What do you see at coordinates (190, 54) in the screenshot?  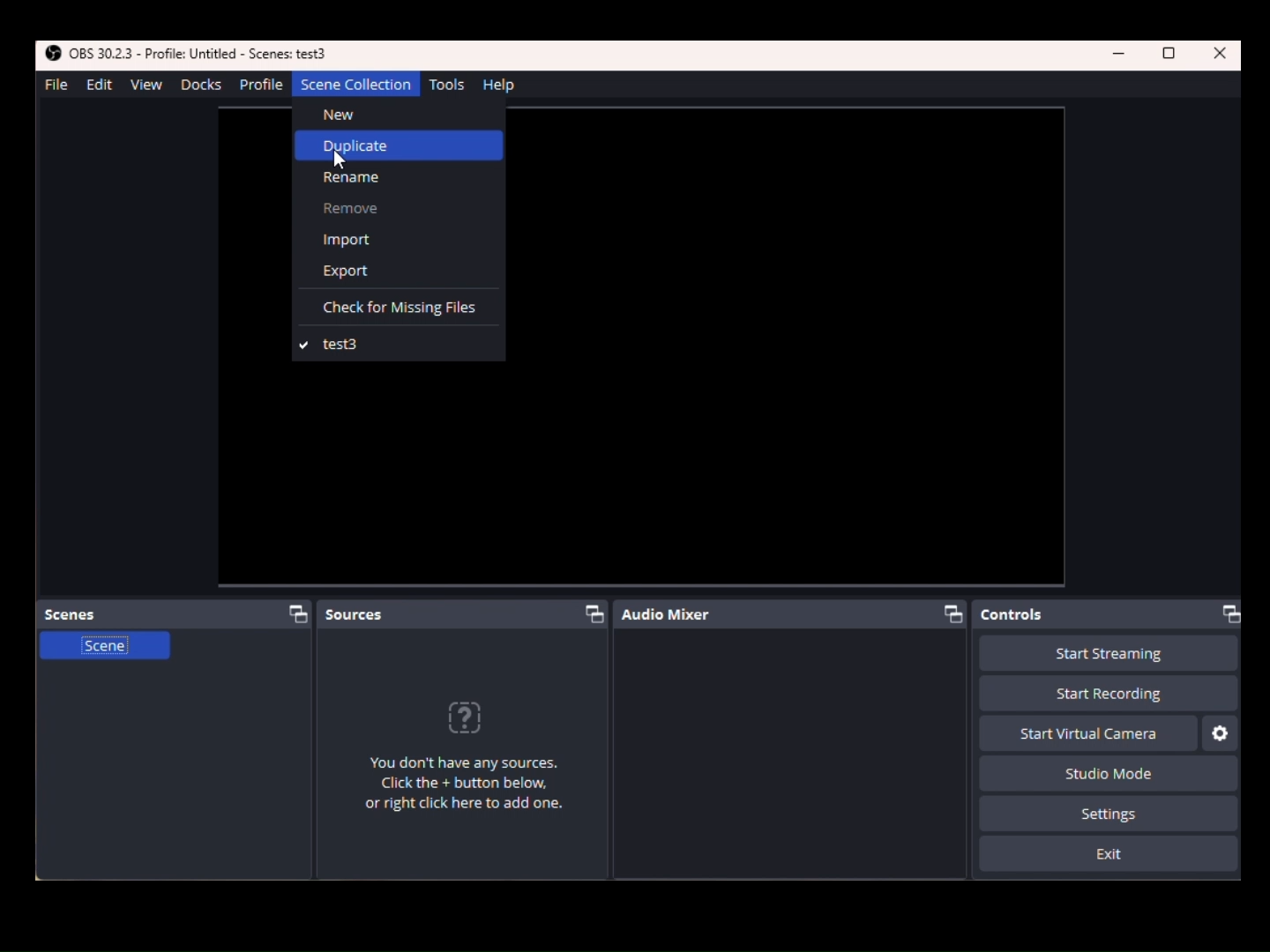 I see `OBS` at bounding box center [190, 54].